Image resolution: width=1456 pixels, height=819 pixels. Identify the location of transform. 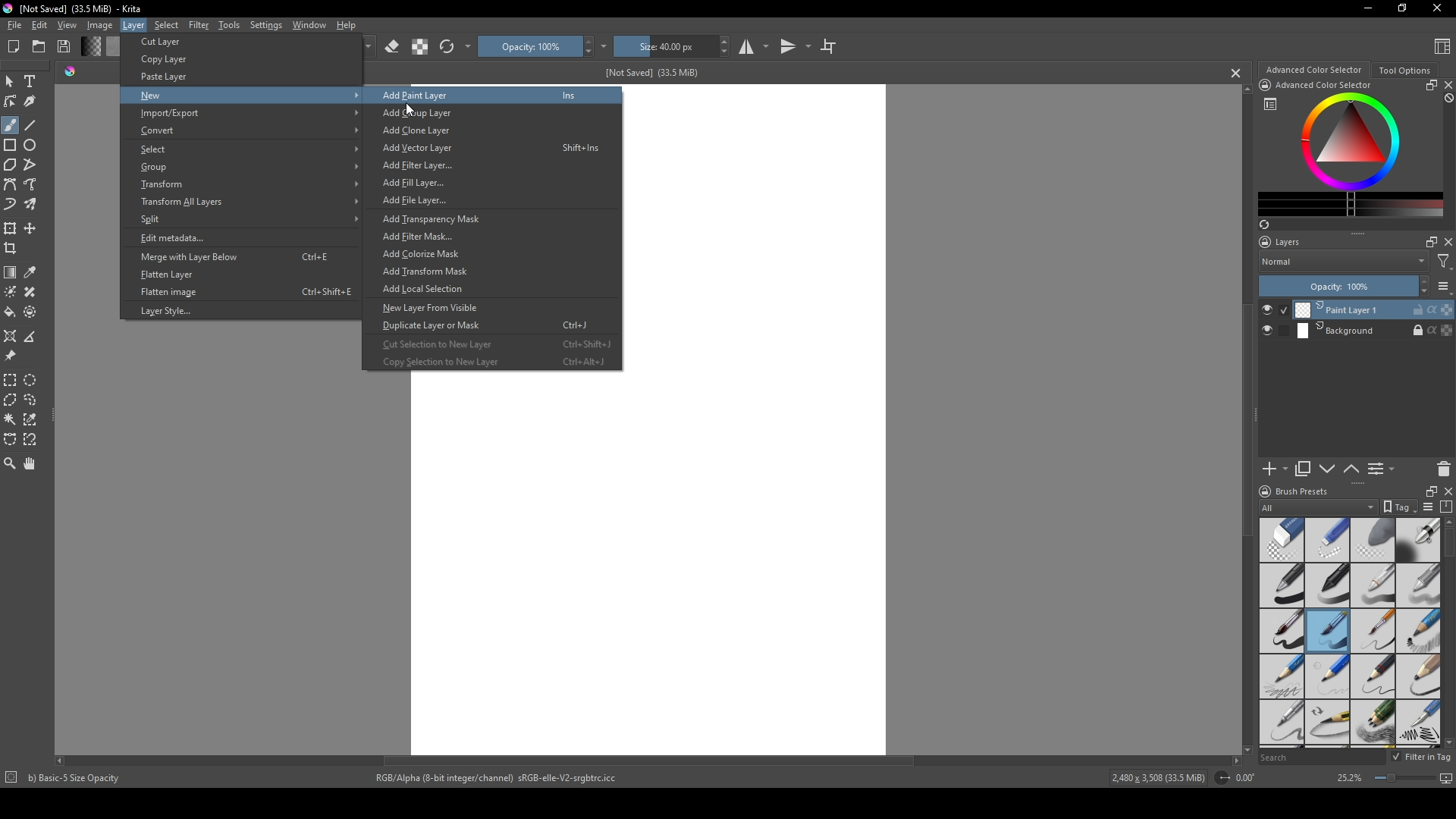
(11, 227).